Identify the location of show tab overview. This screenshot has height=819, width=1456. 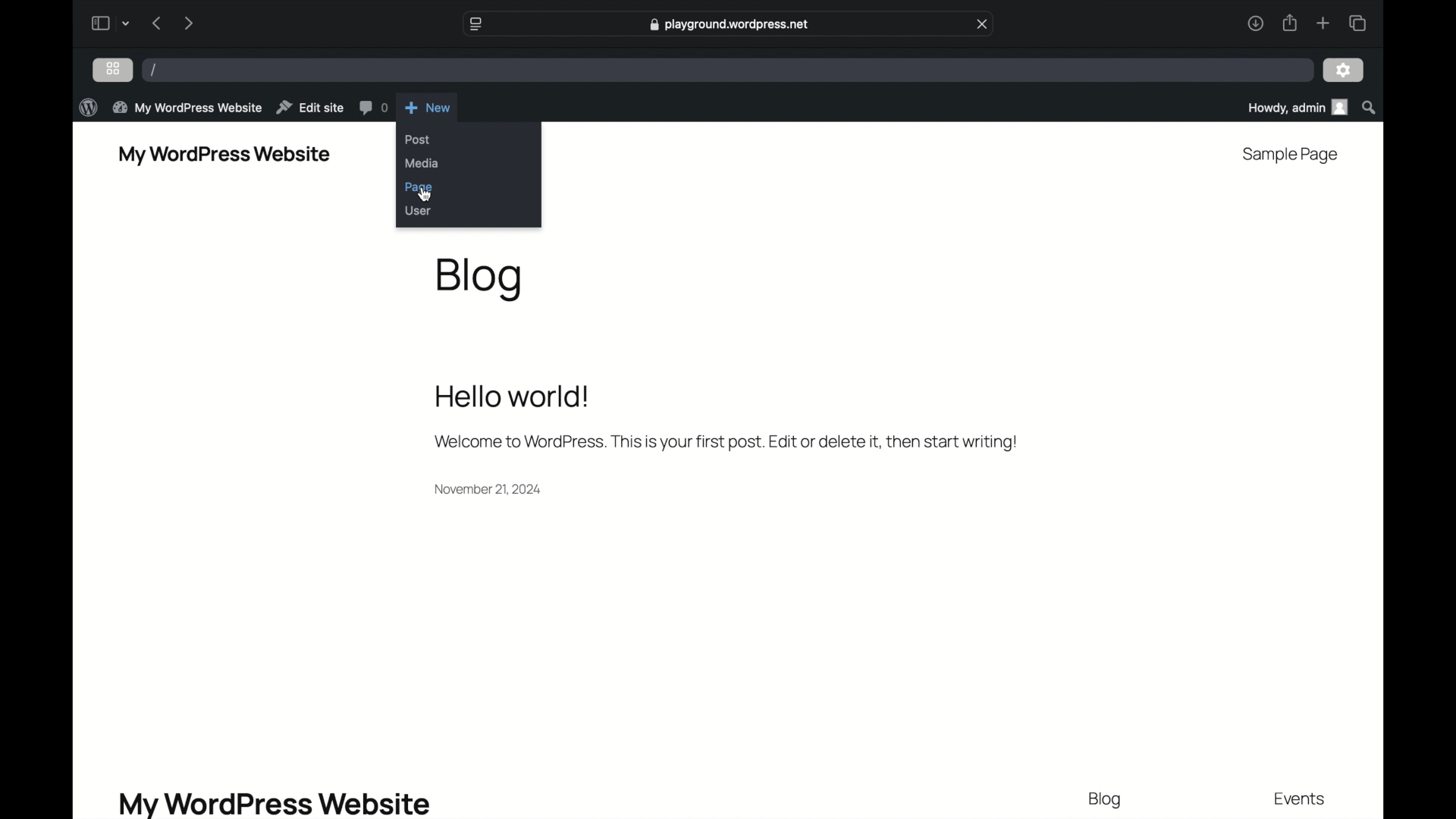
(1357, 23).